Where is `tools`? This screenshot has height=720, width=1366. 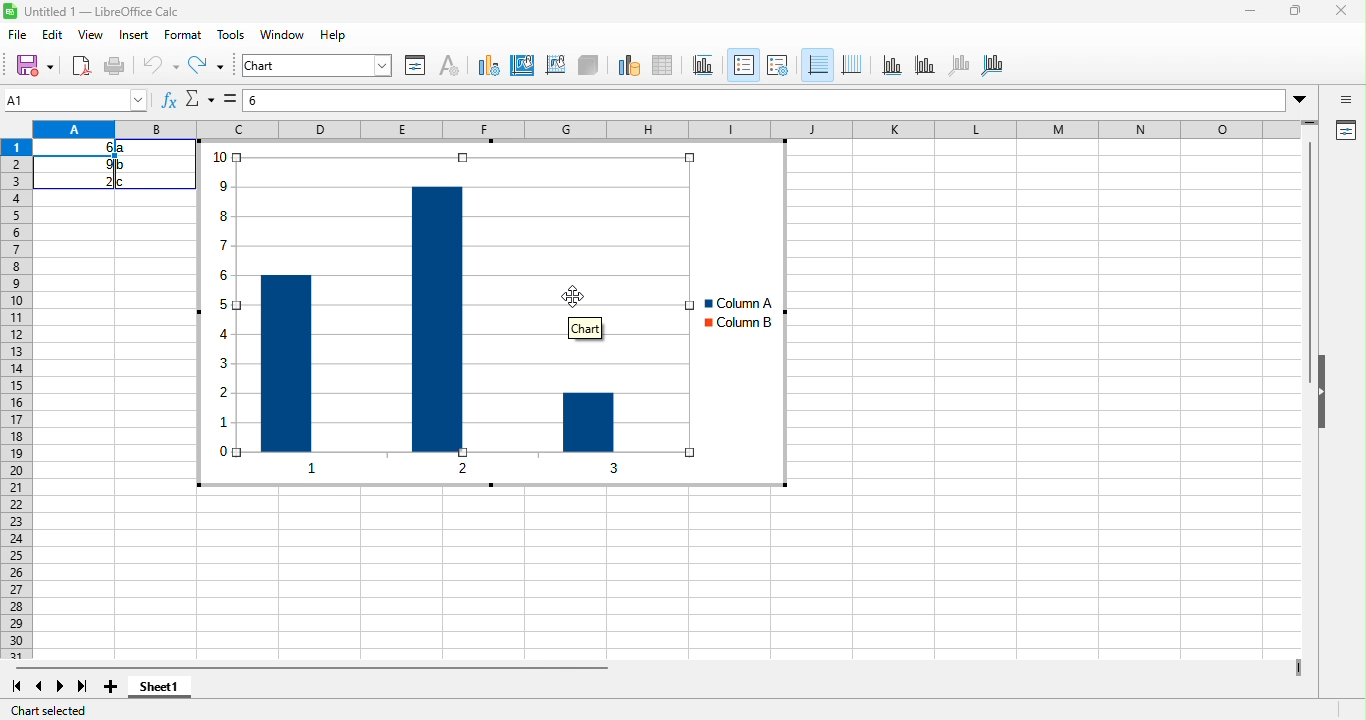 tools is located at coordinates (231, 36).